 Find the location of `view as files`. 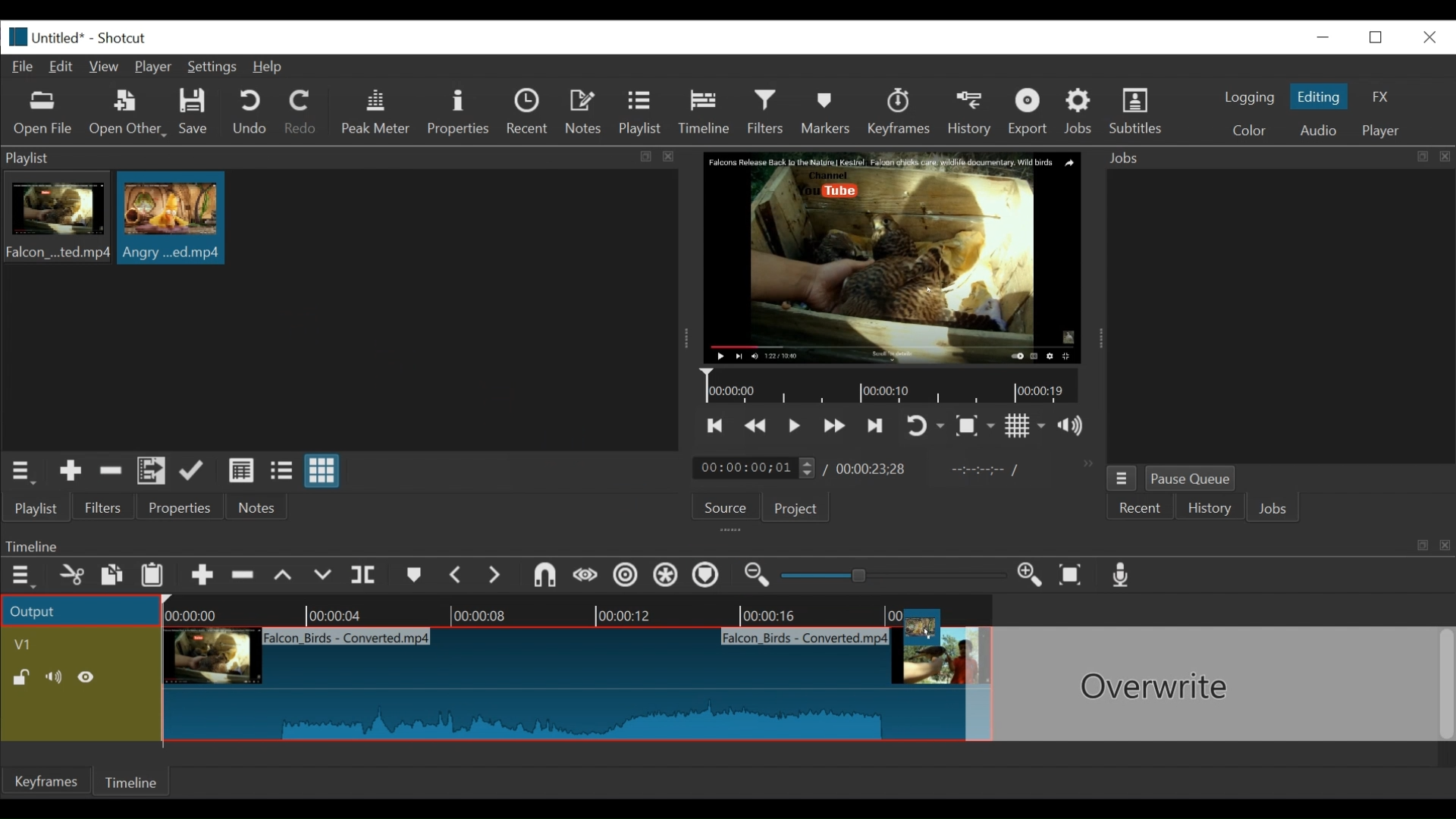

view as files is located at coordinates (283, 470).